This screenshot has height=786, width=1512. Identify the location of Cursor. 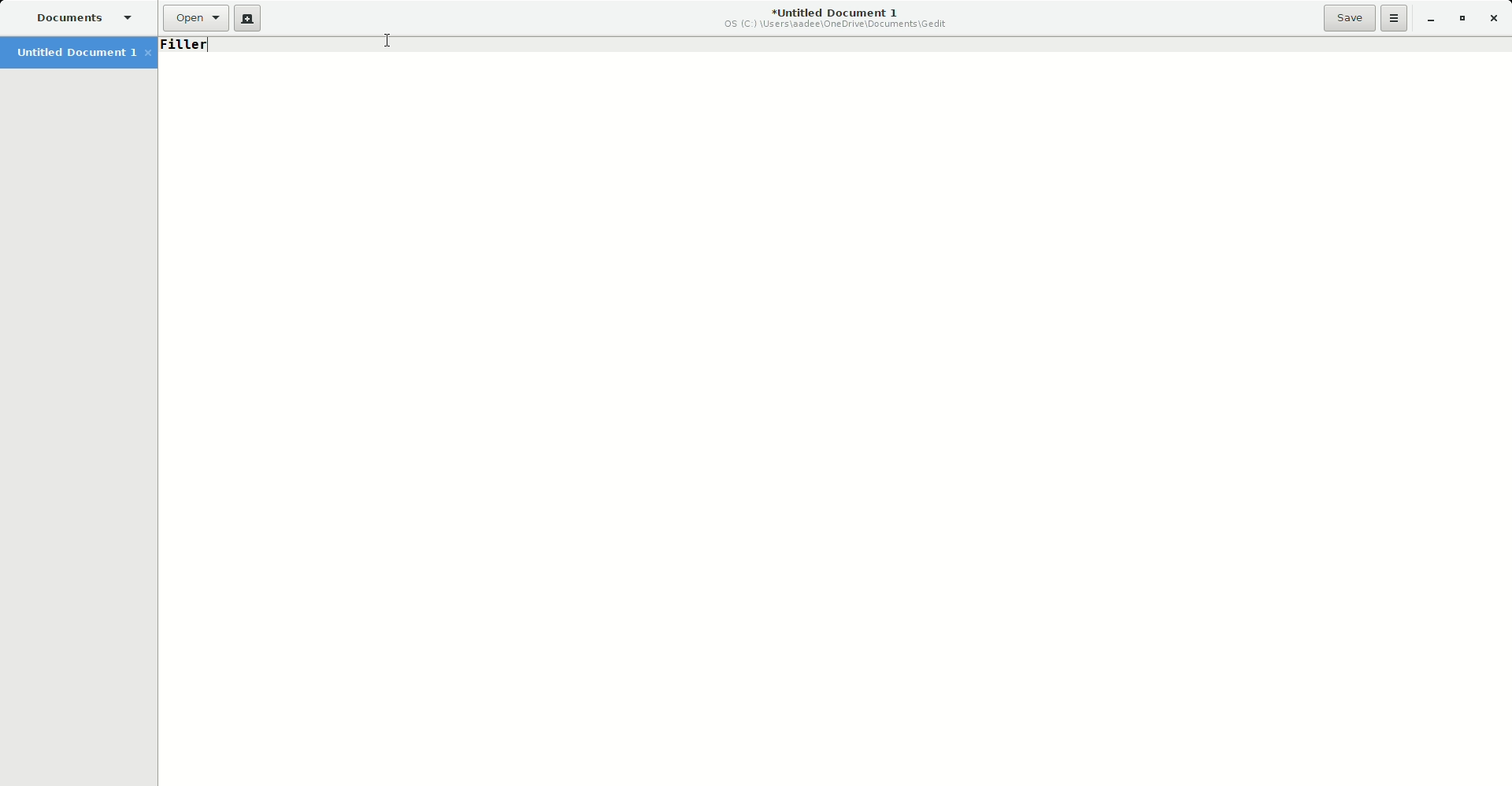
(387, 43).